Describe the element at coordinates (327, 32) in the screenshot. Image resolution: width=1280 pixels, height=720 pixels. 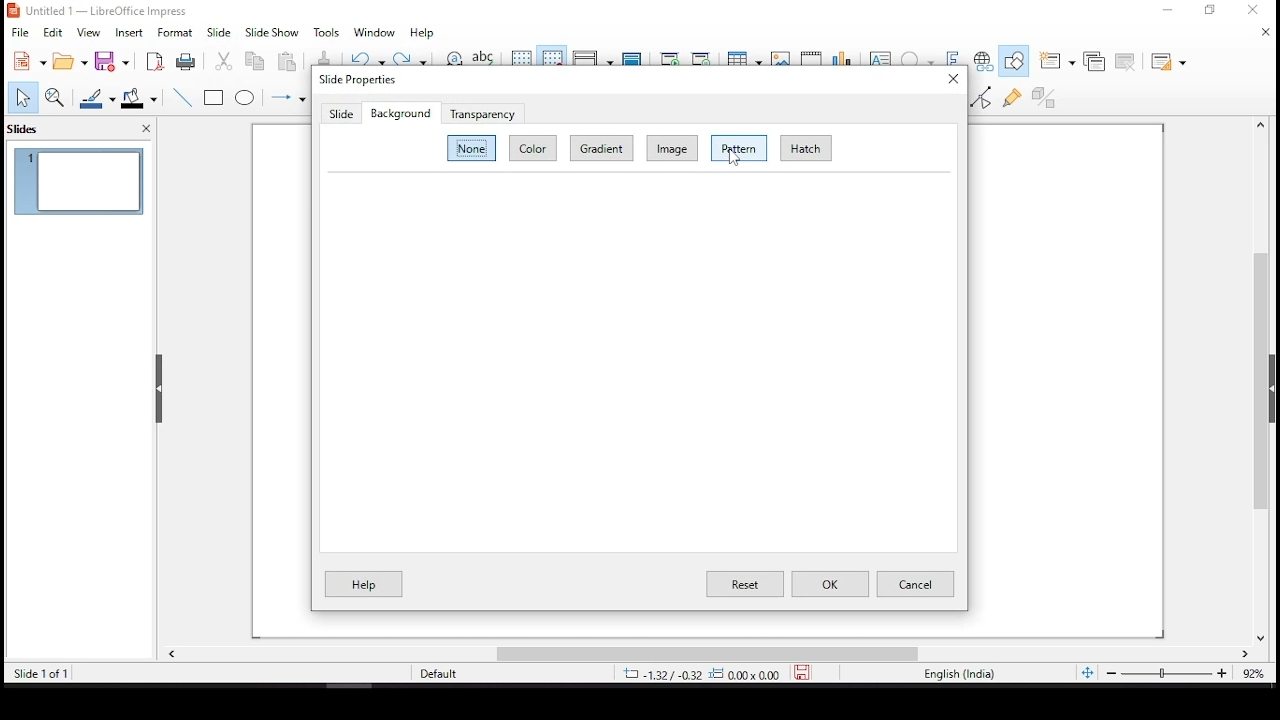
I see `tools` at that location.